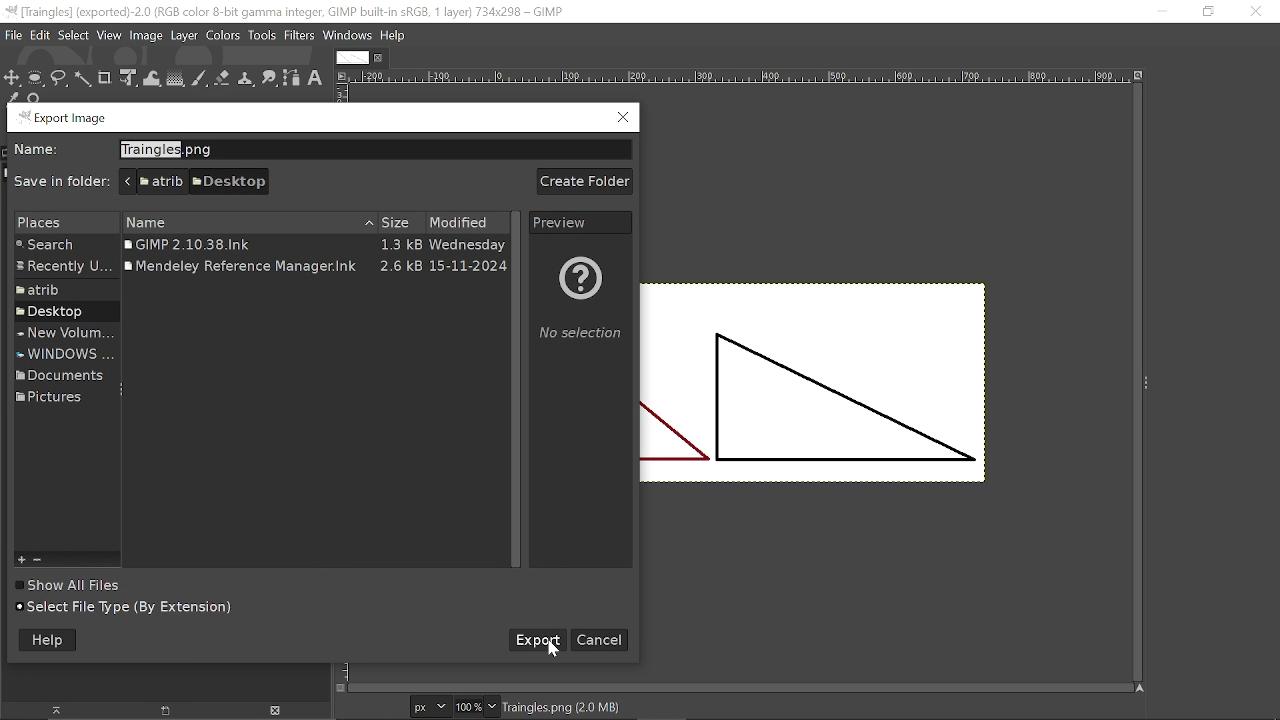 This screenshot has width=1280, height=720. Describe the element at coordinates (58, 313) in the screenshot. I see `folder` at that location.